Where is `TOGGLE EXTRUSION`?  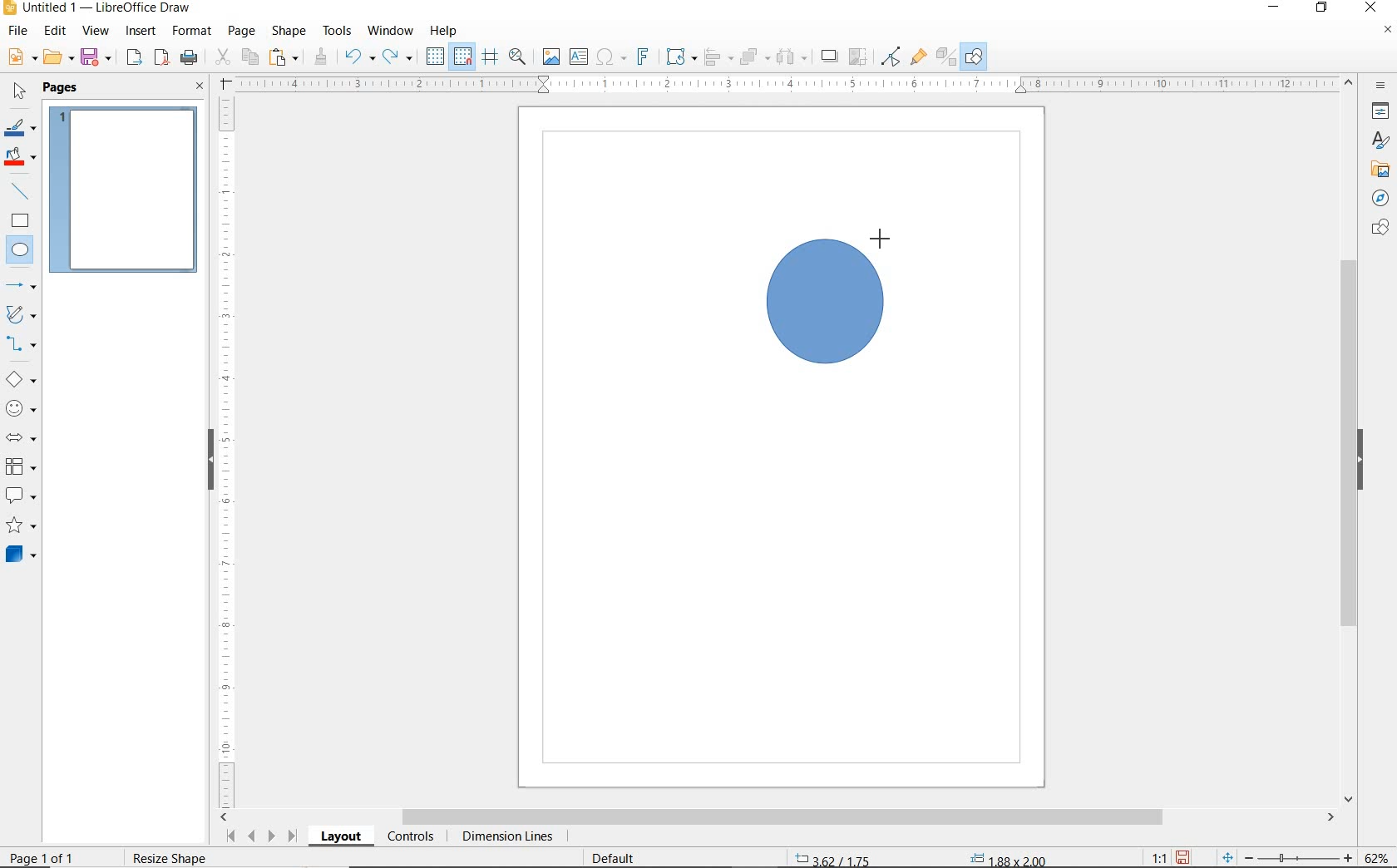 TOGGLE EXTRUSION is located at coordinates (946, 58).